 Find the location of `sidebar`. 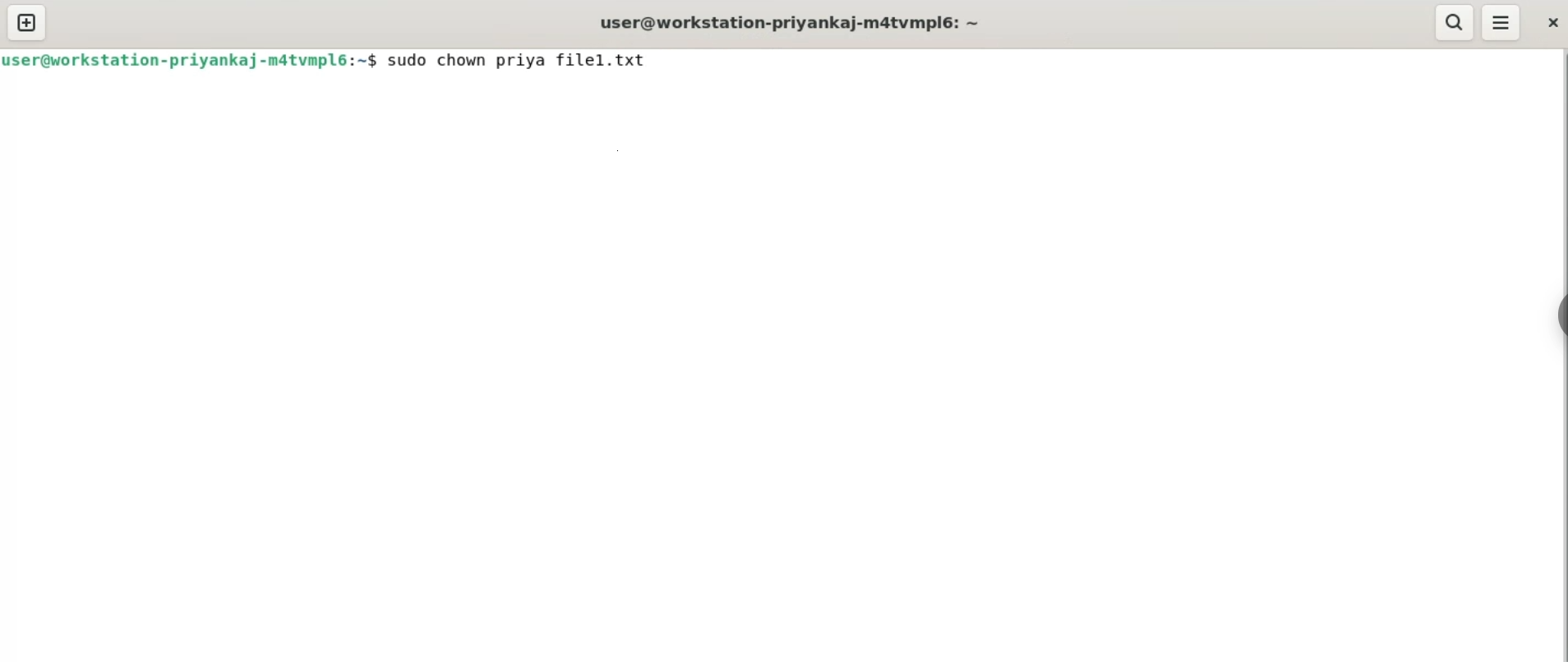

sidebar is located at coordinates (1558, 314).